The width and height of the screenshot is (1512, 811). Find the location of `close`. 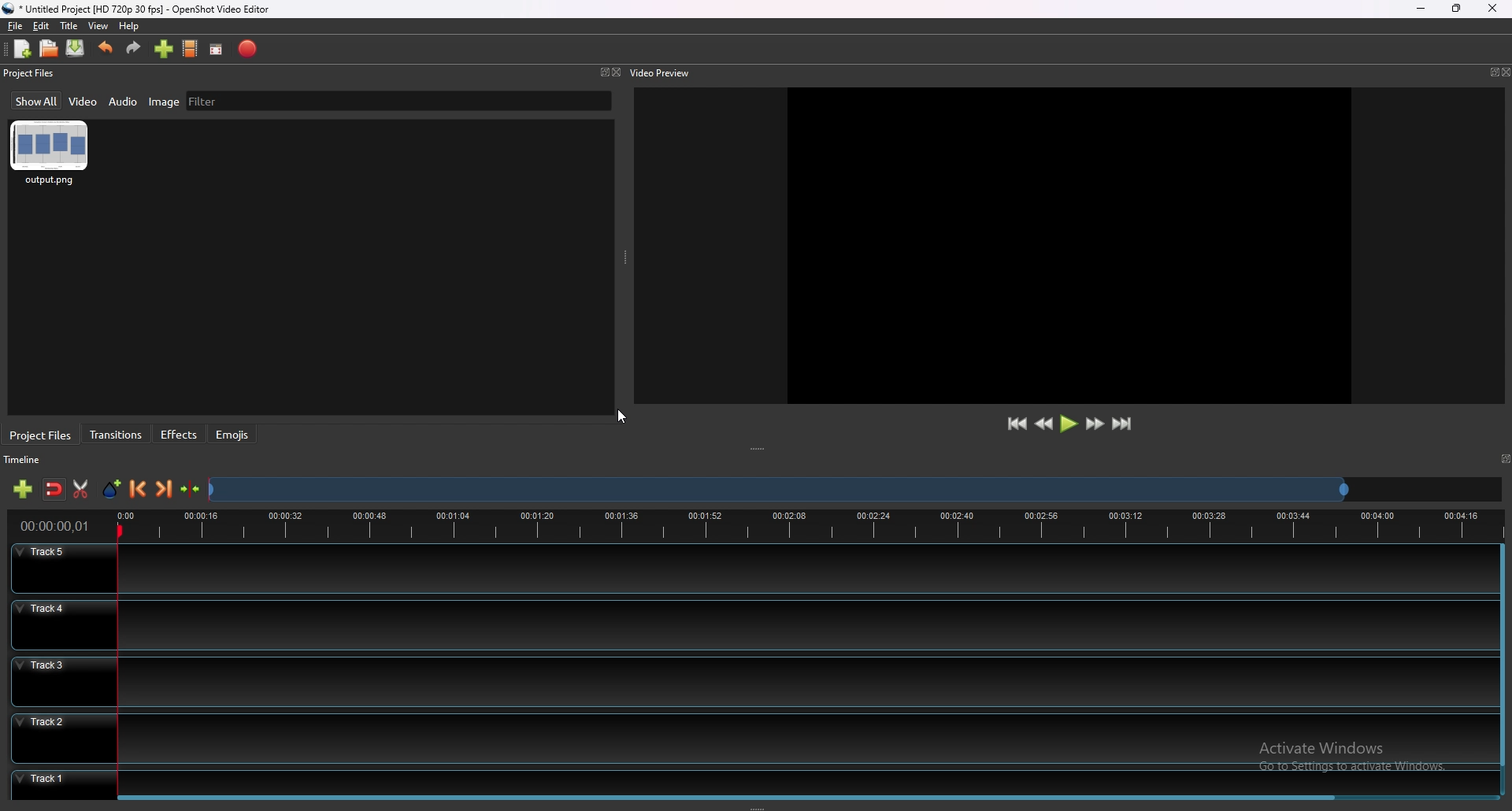

close is located at coordinates (617, 72).